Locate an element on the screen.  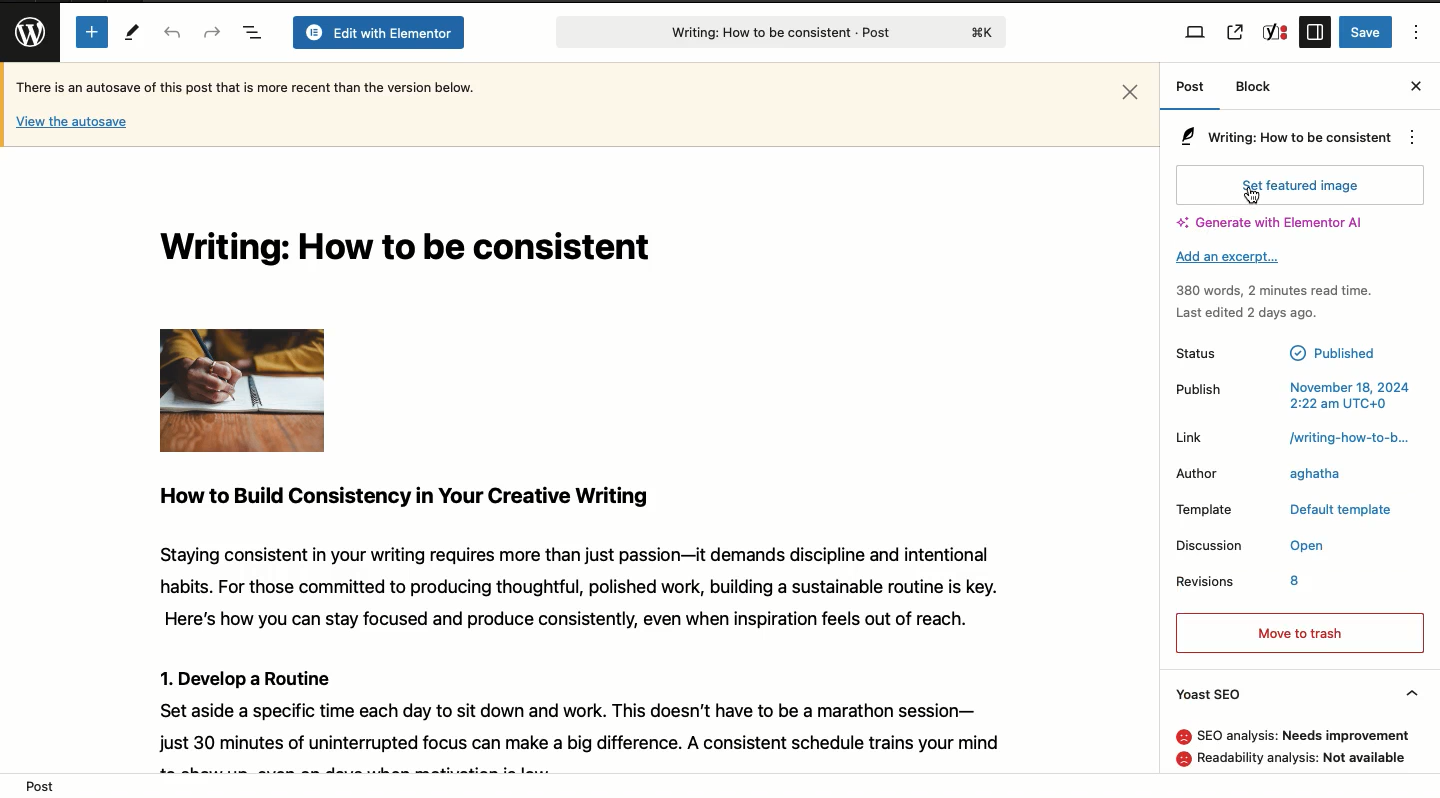
Set featured image is located at coordinates (1300, 185).